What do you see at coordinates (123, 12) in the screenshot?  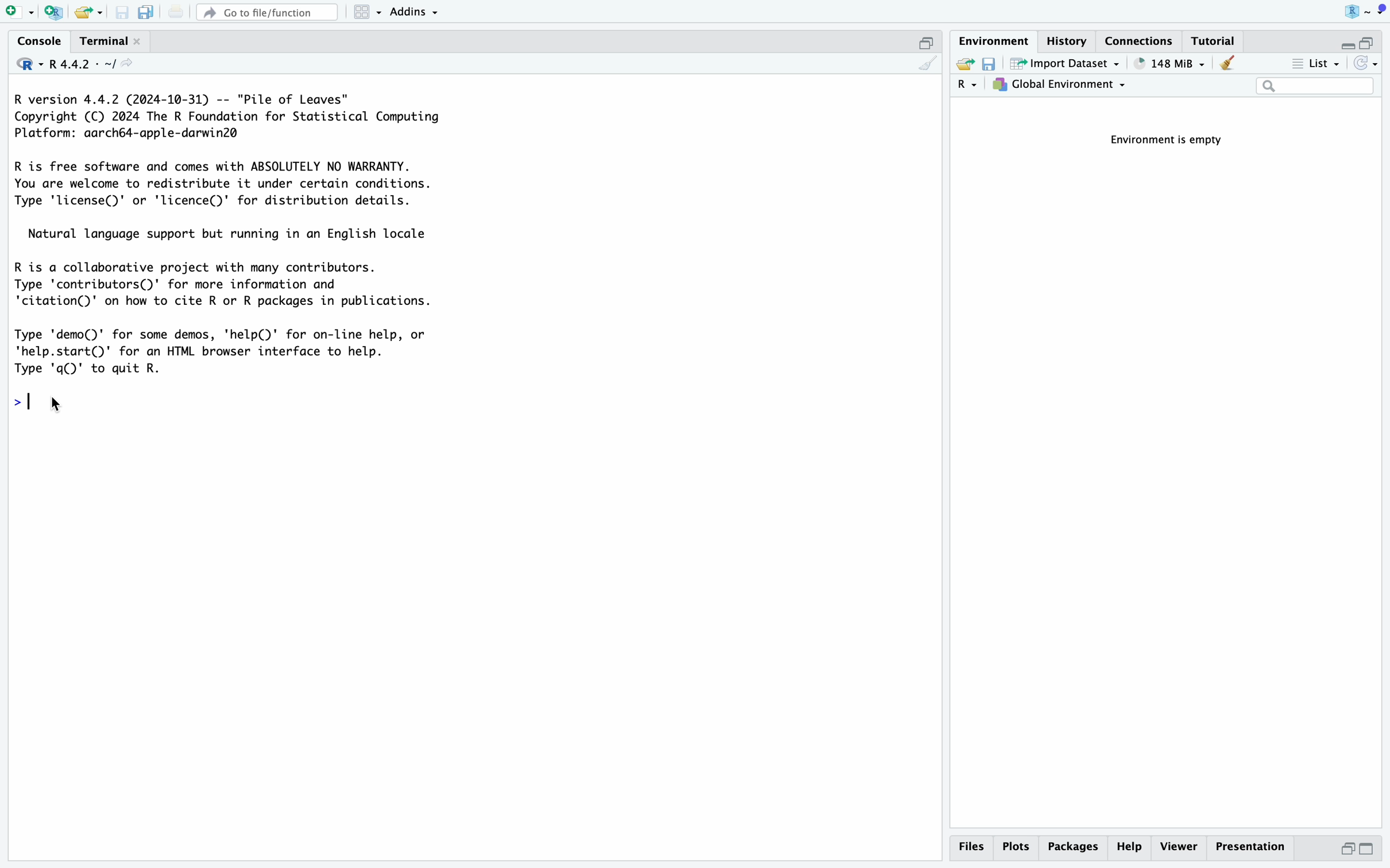 I see `save current document` at bounding box center [123, 12].